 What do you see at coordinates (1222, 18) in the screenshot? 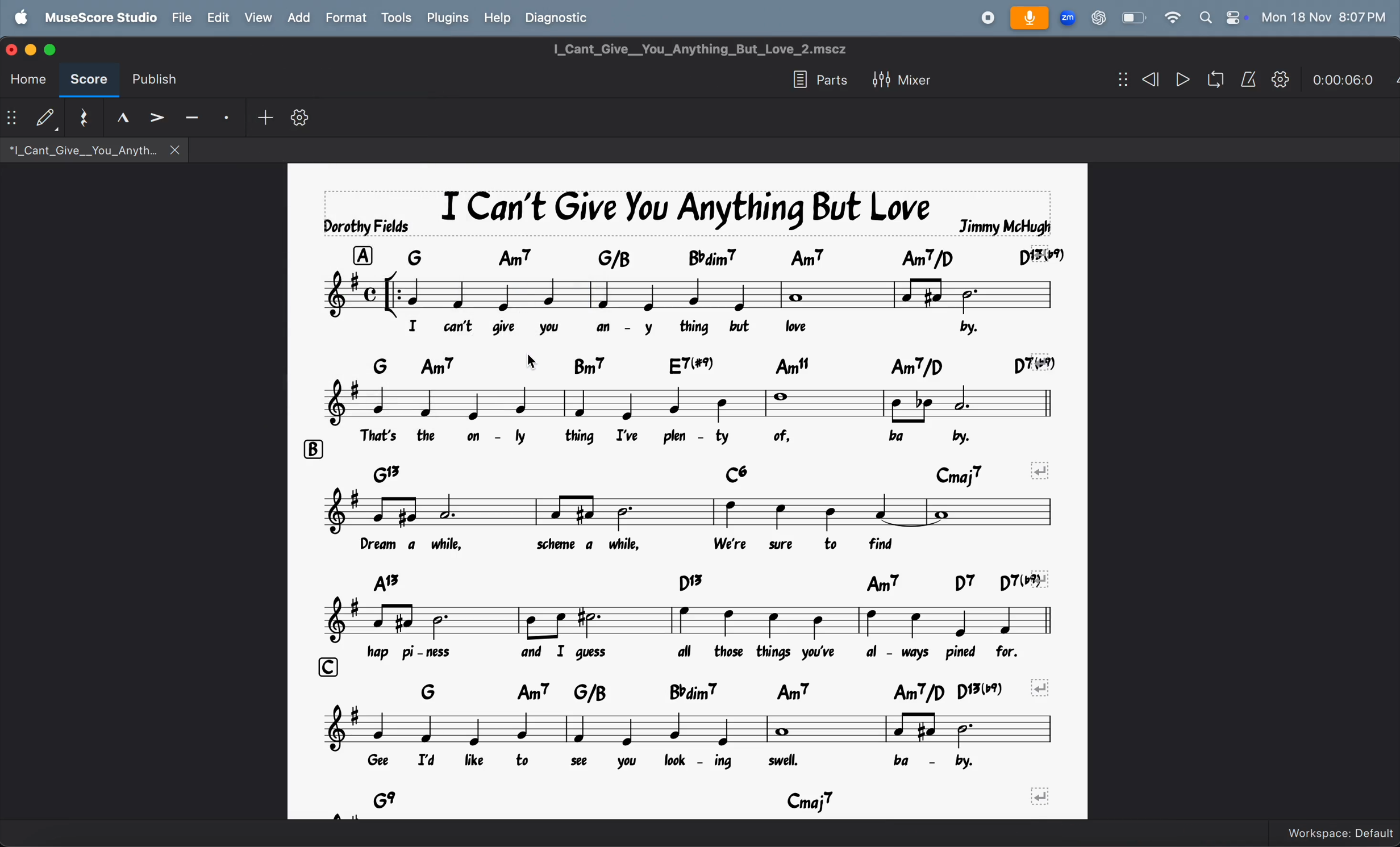
I see `apple widgets` at bounding box center [1222, 18].